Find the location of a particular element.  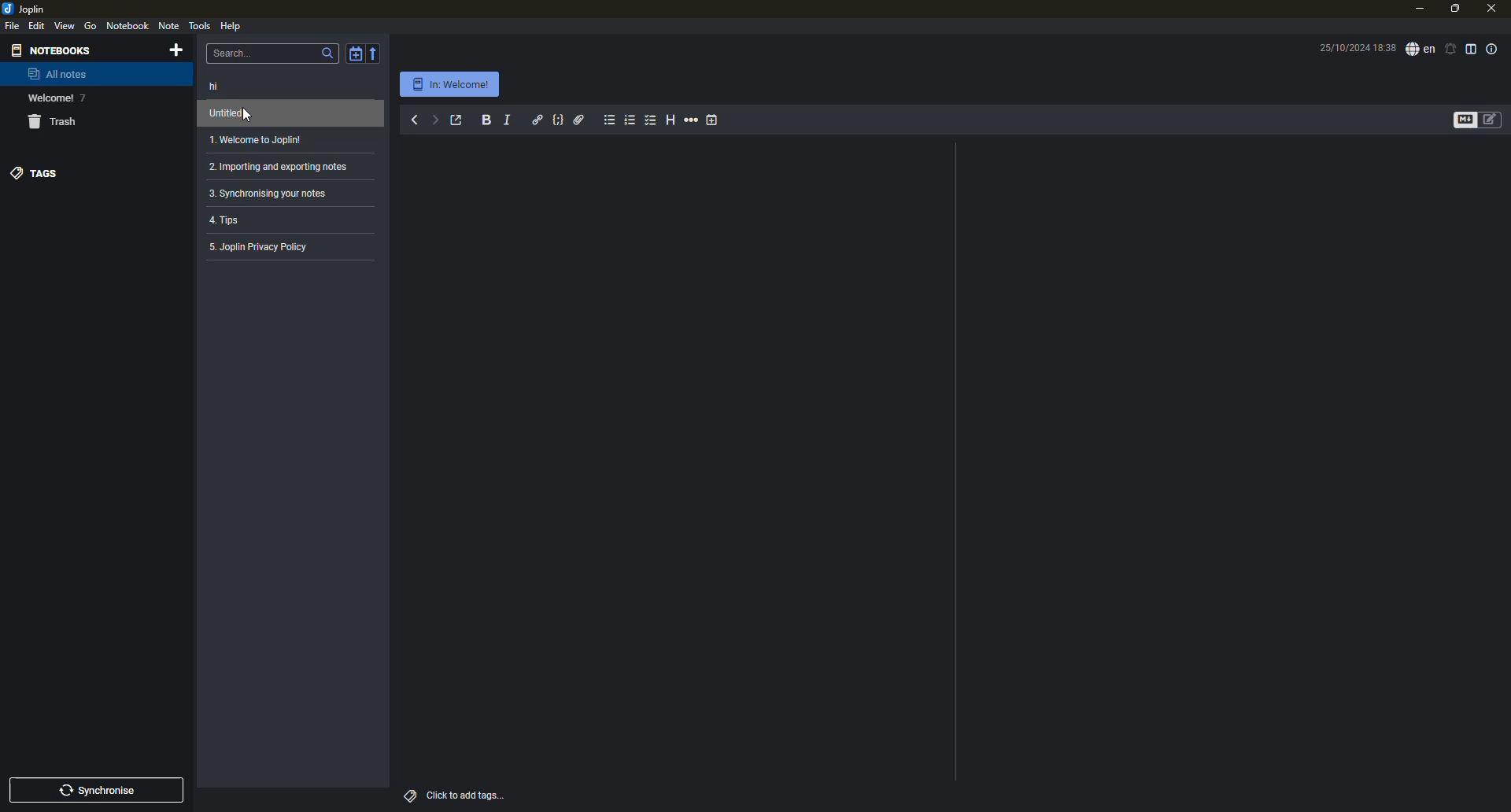

add notebook is located at coordinates (175, 50).